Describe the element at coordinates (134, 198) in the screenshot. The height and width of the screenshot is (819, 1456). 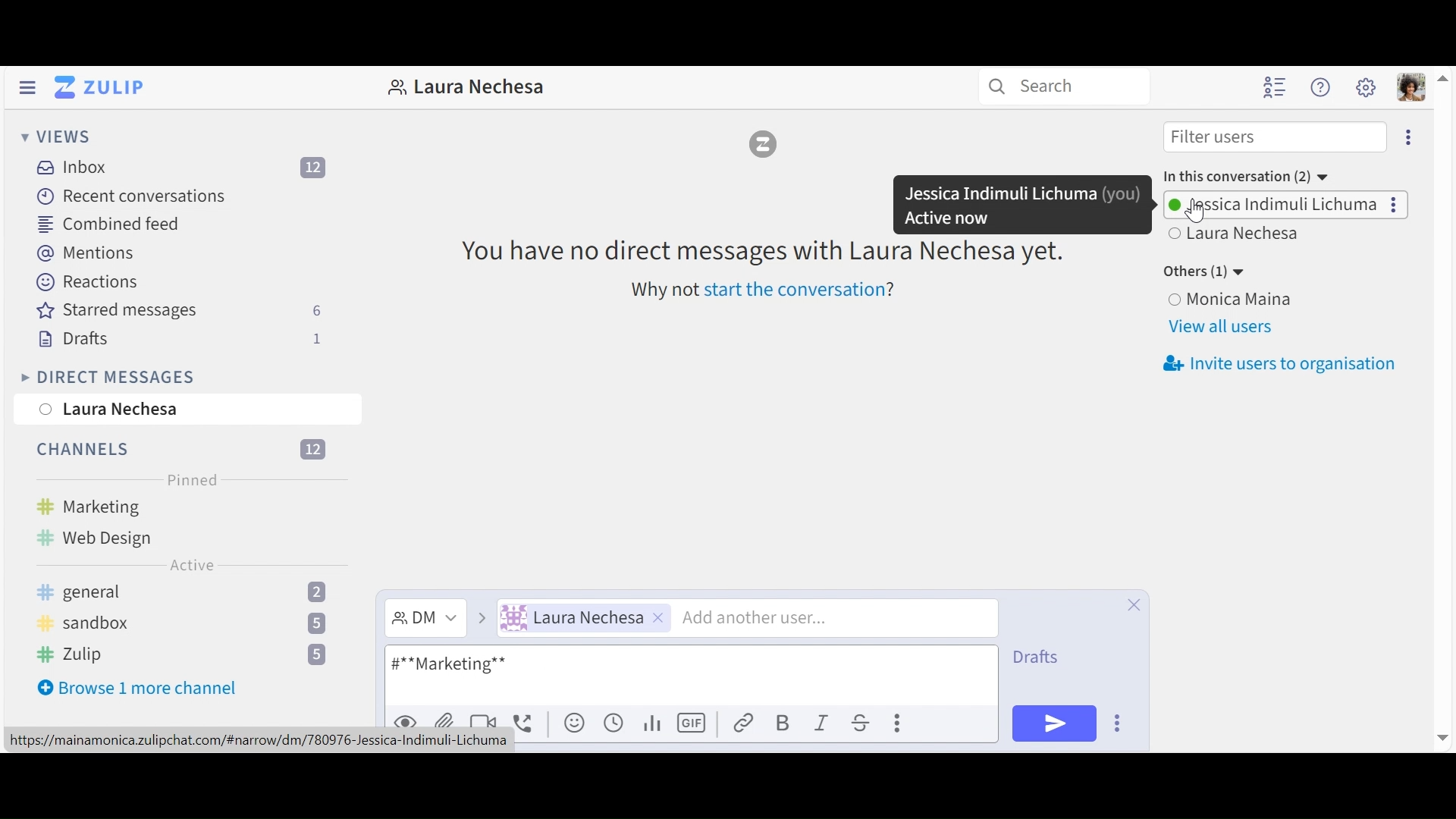
I see `Recent Conversation` at that location.